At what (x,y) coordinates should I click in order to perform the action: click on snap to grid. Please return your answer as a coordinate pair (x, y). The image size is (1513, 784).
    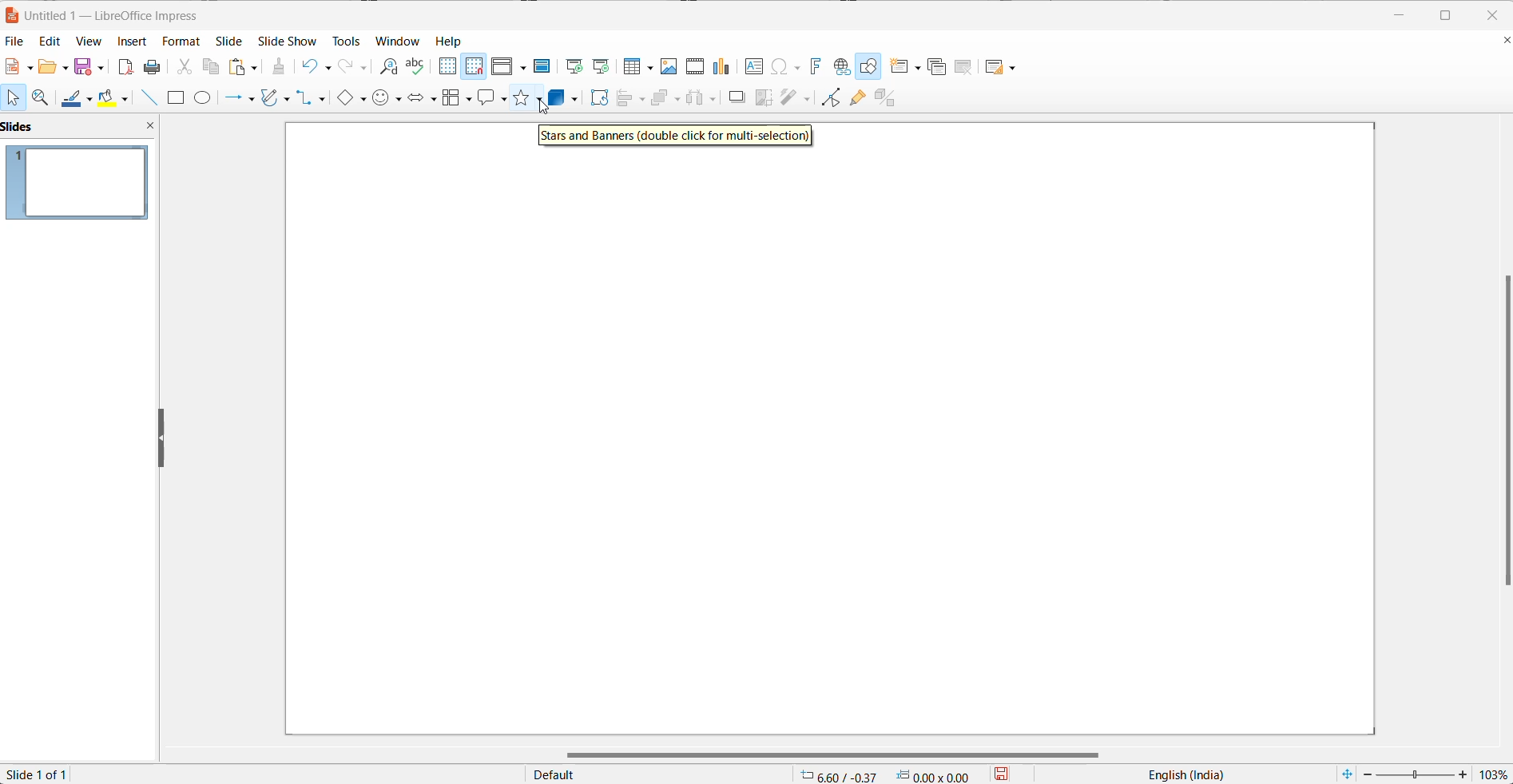
    Looking at the image, I should click on (475, 69).